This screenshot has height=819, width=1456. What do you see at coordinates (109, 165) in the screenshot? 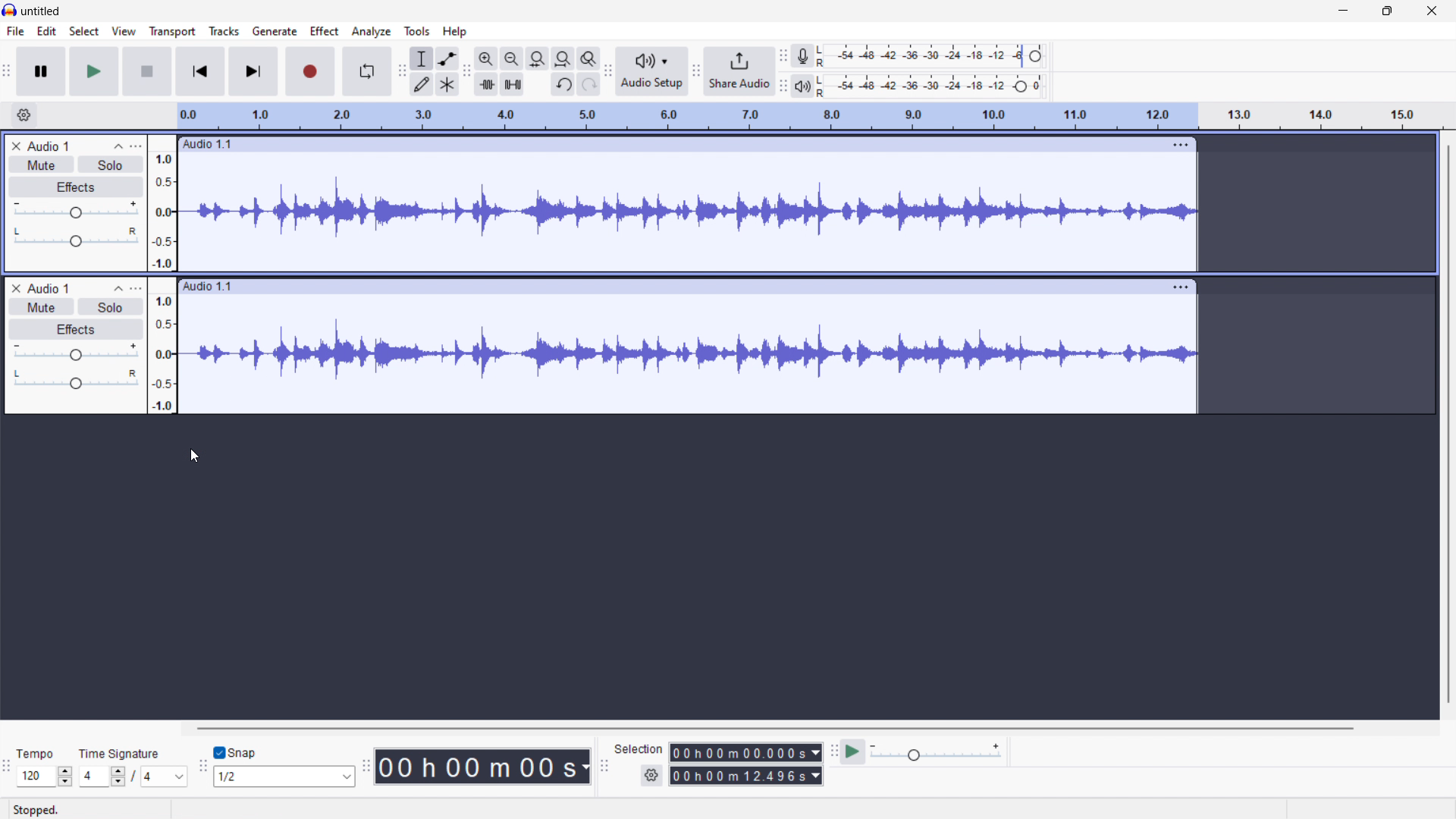
I see `solo` at bounding box center [109, 165].